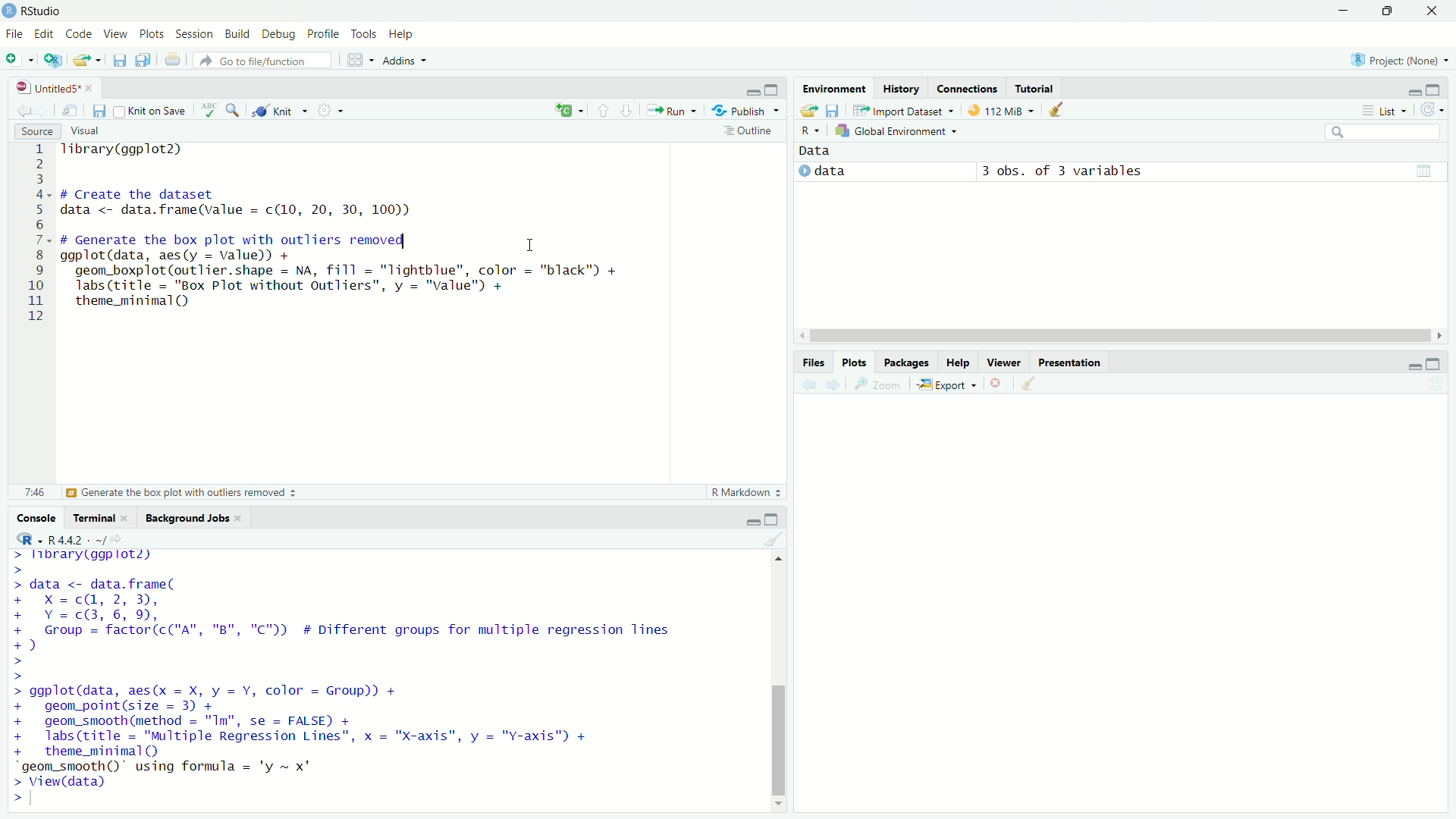  I want to click on © data 3 obs. of 3 variables, so click(1008, 173).